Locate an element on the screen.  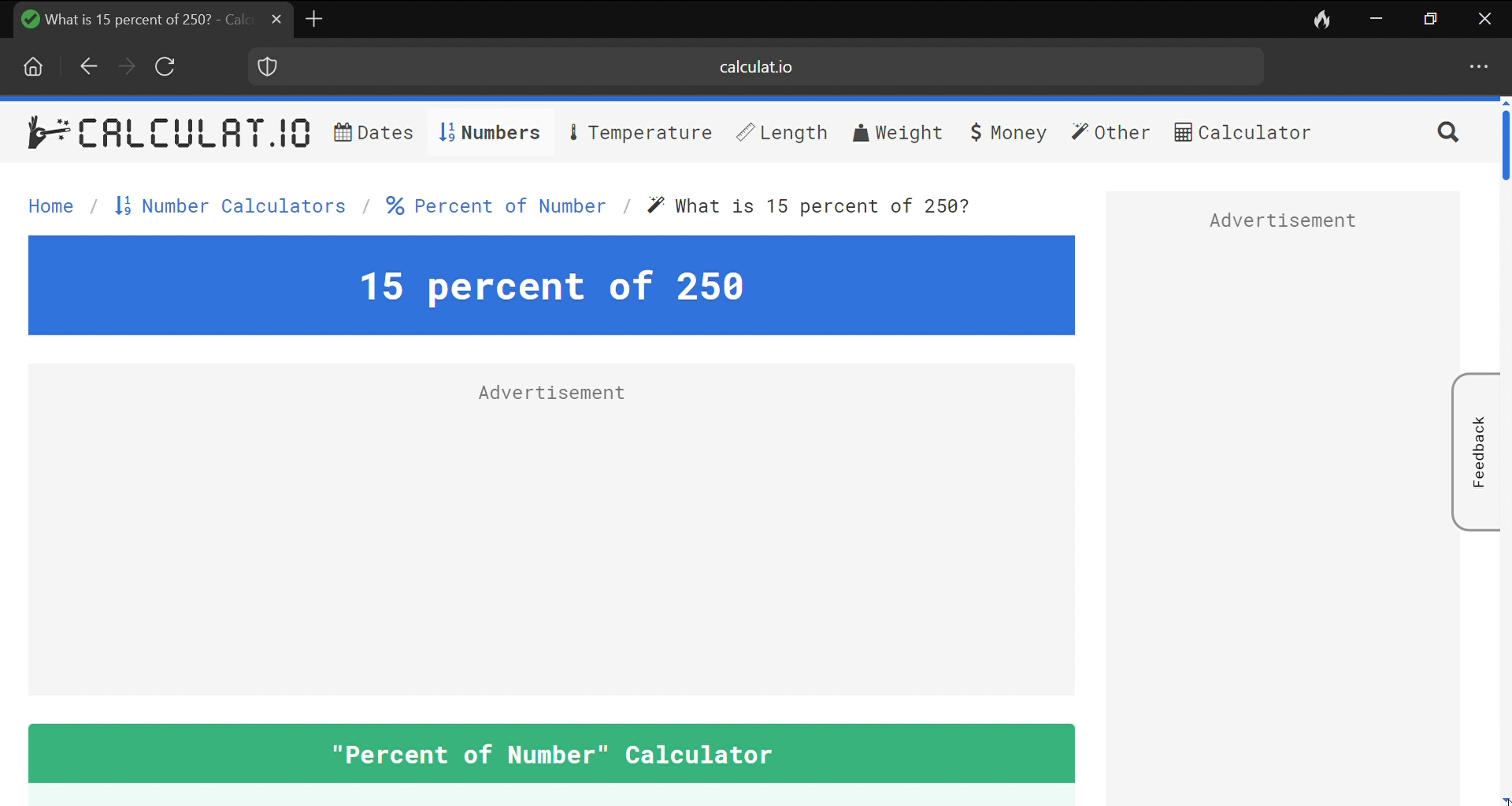
Move the page upwards is located at coordinates (1503, 102).